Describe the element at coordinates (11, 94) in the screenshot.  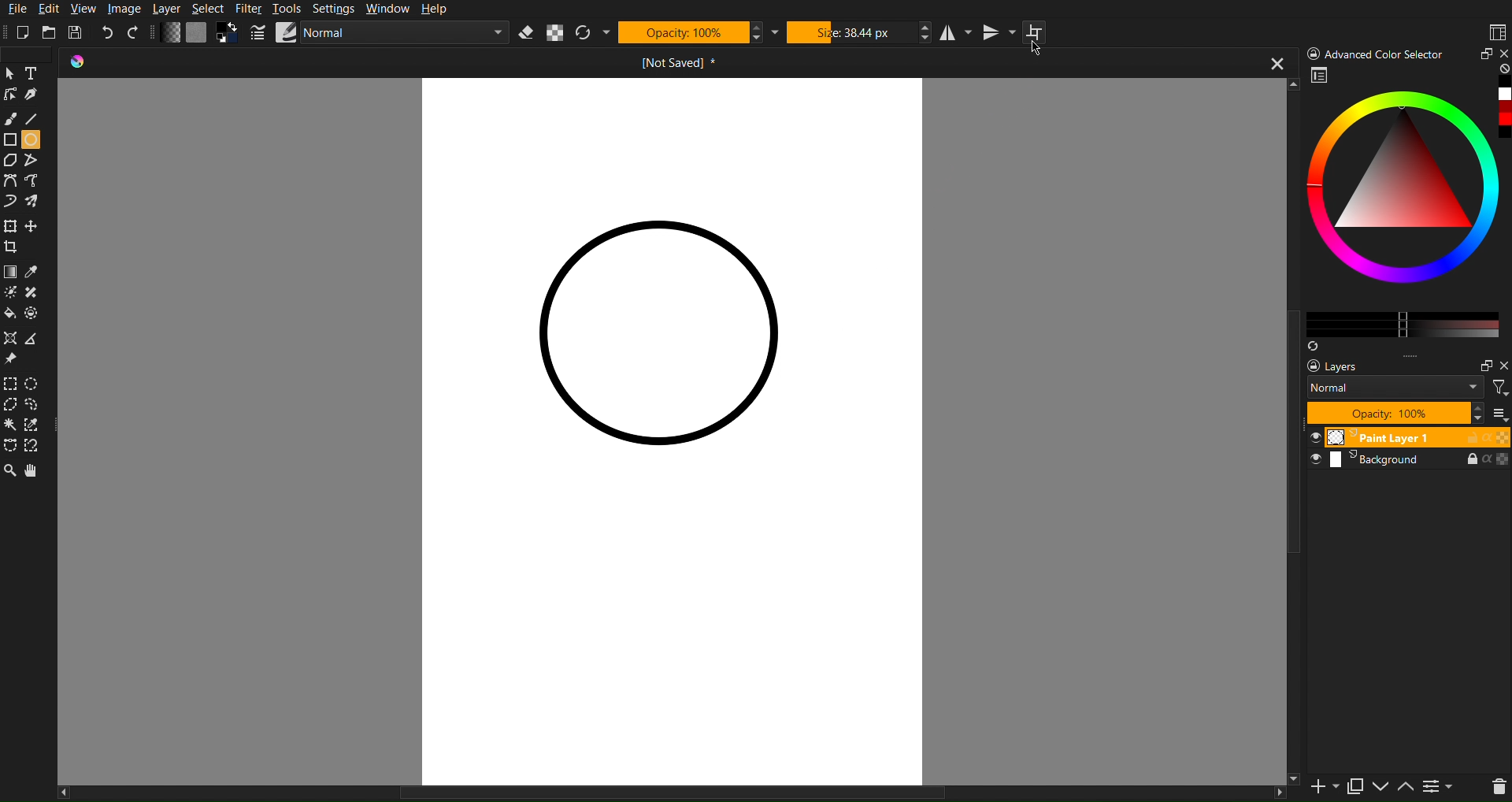
I see `Linework Tools` at that location.